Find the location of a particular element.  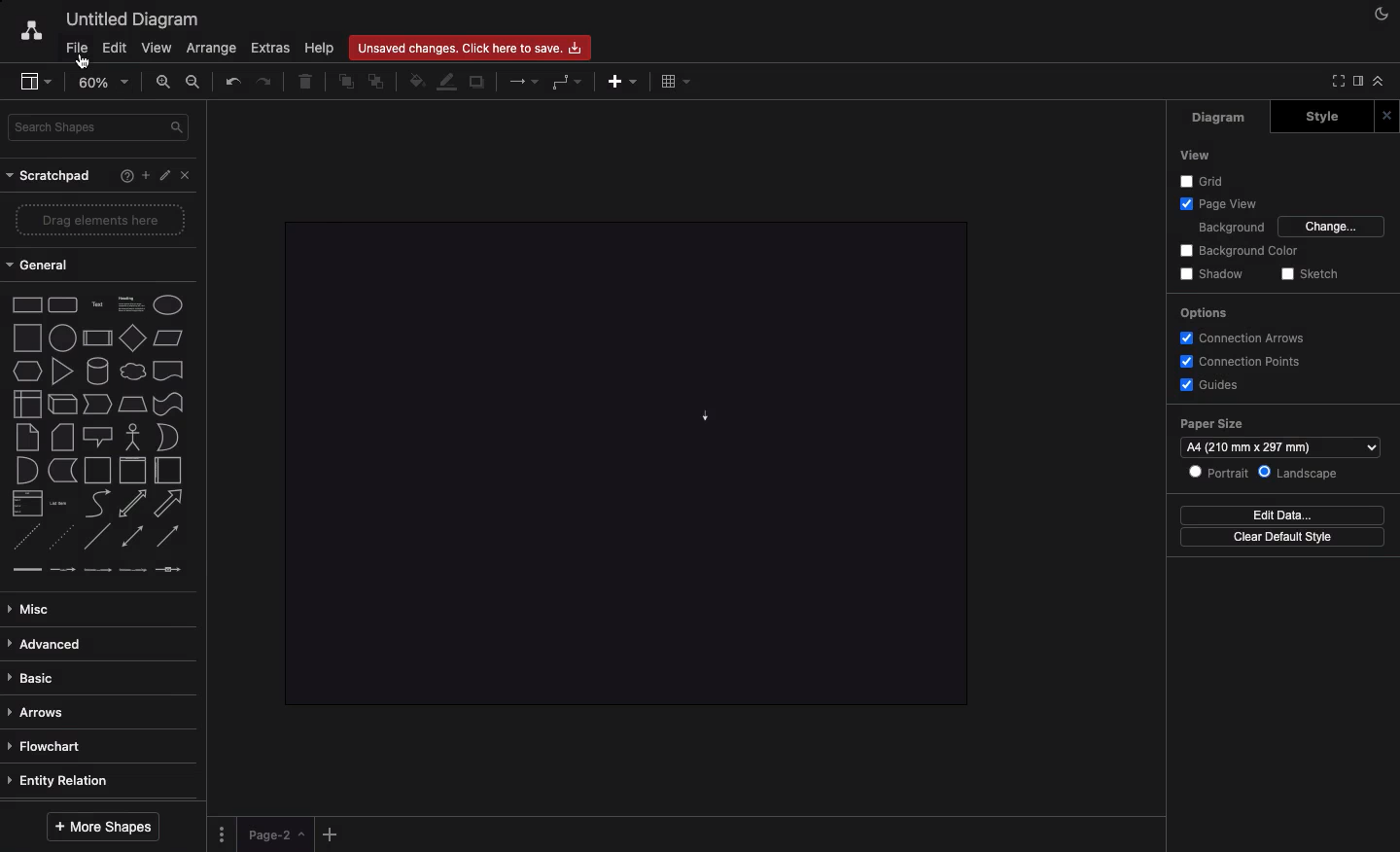

Flowchart is located at coordinates (46, 746).